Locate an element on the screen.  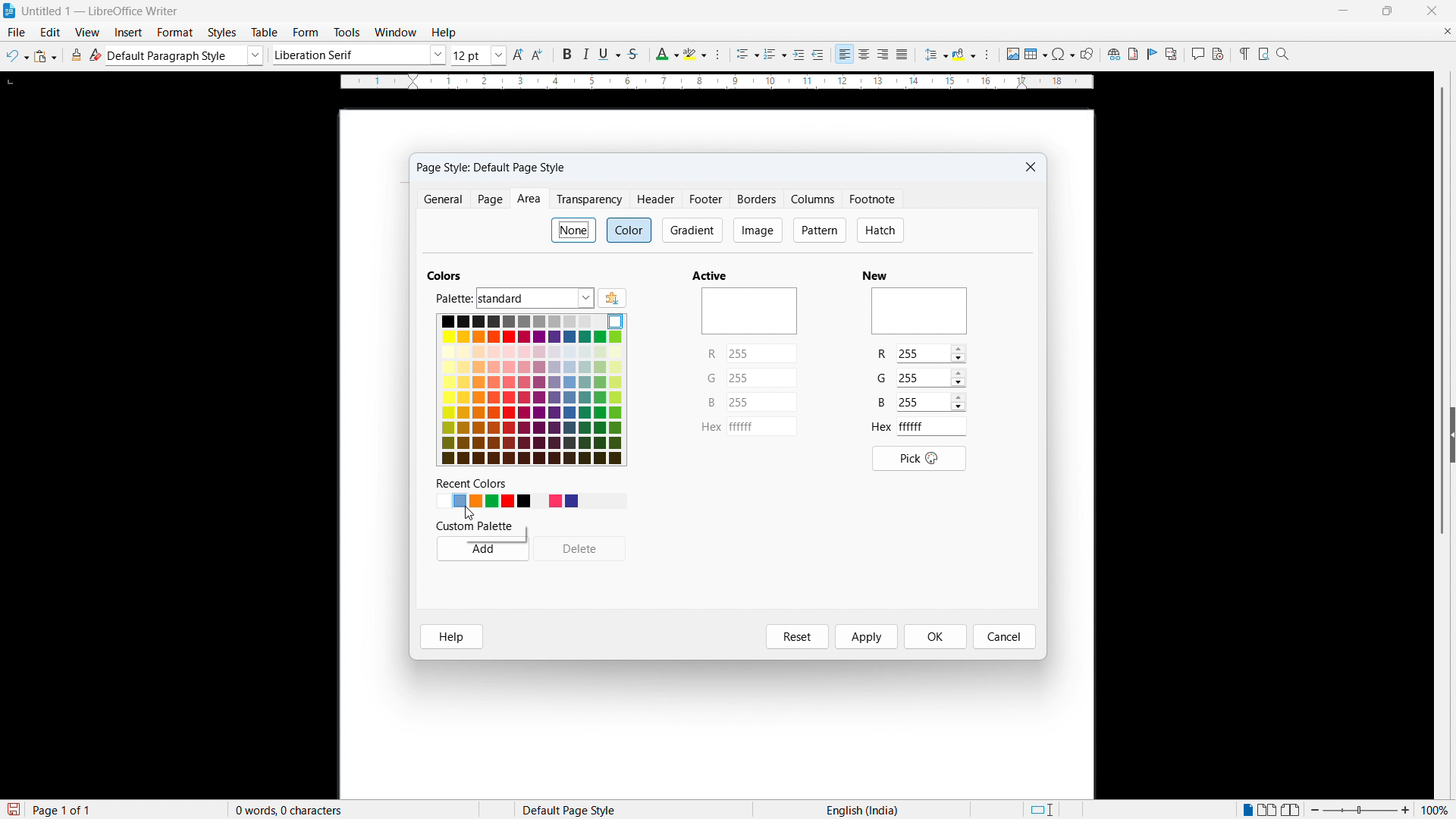
Close document  is located at coordinates (1447, 30).